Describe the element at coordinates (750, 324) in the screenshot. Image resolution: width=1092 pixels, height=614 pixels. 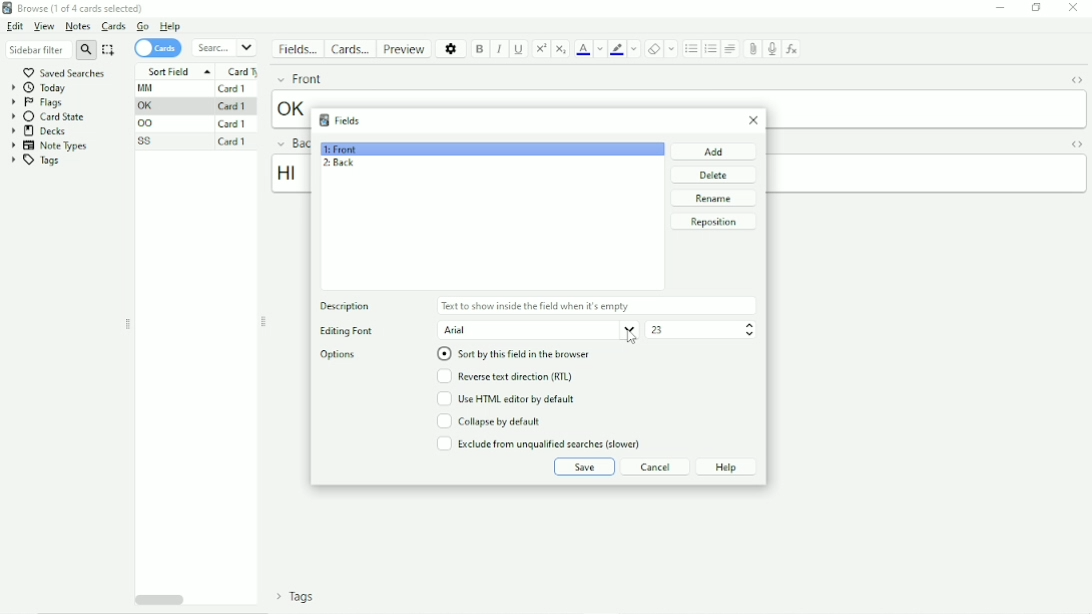
I see `Increment` at that location.